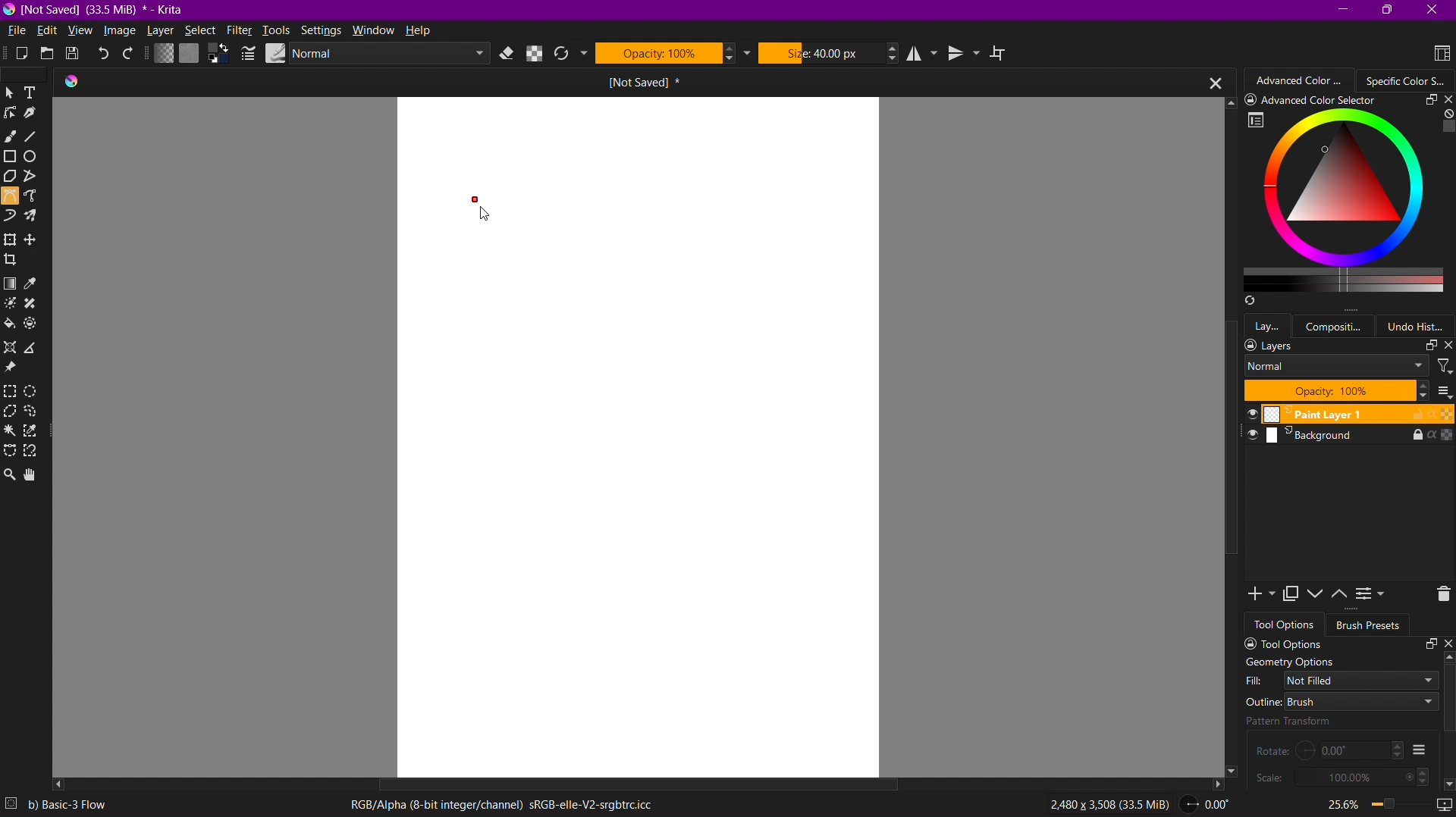  What do you see at coordinates (13, 369) in the screenshot?
I see `Reference Images Tool` at bounding box center [13, 369].